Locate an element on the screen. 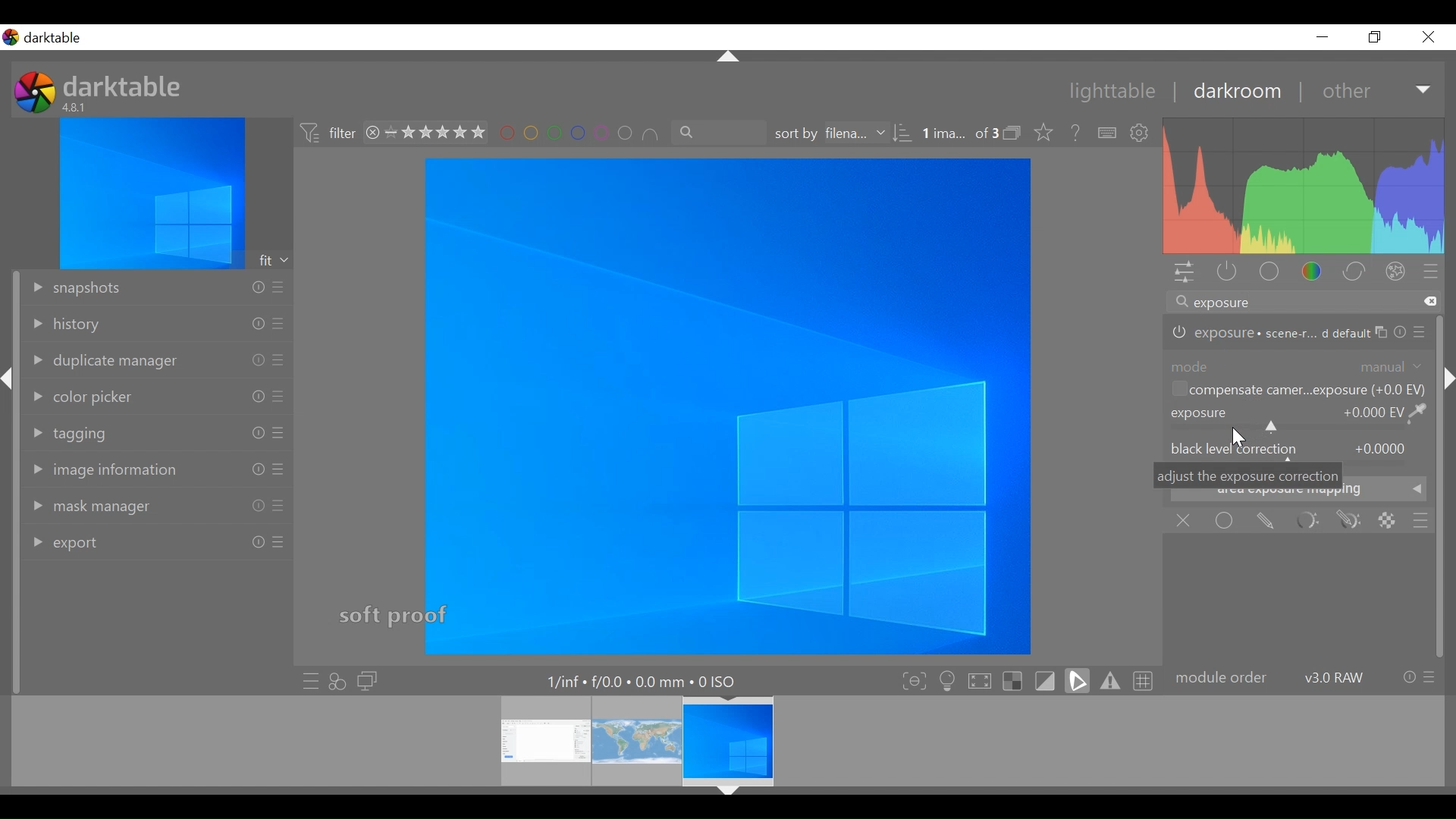 The height and width of the screenshot is (819, 1456). exposure is located at coordinates (1268, 334).